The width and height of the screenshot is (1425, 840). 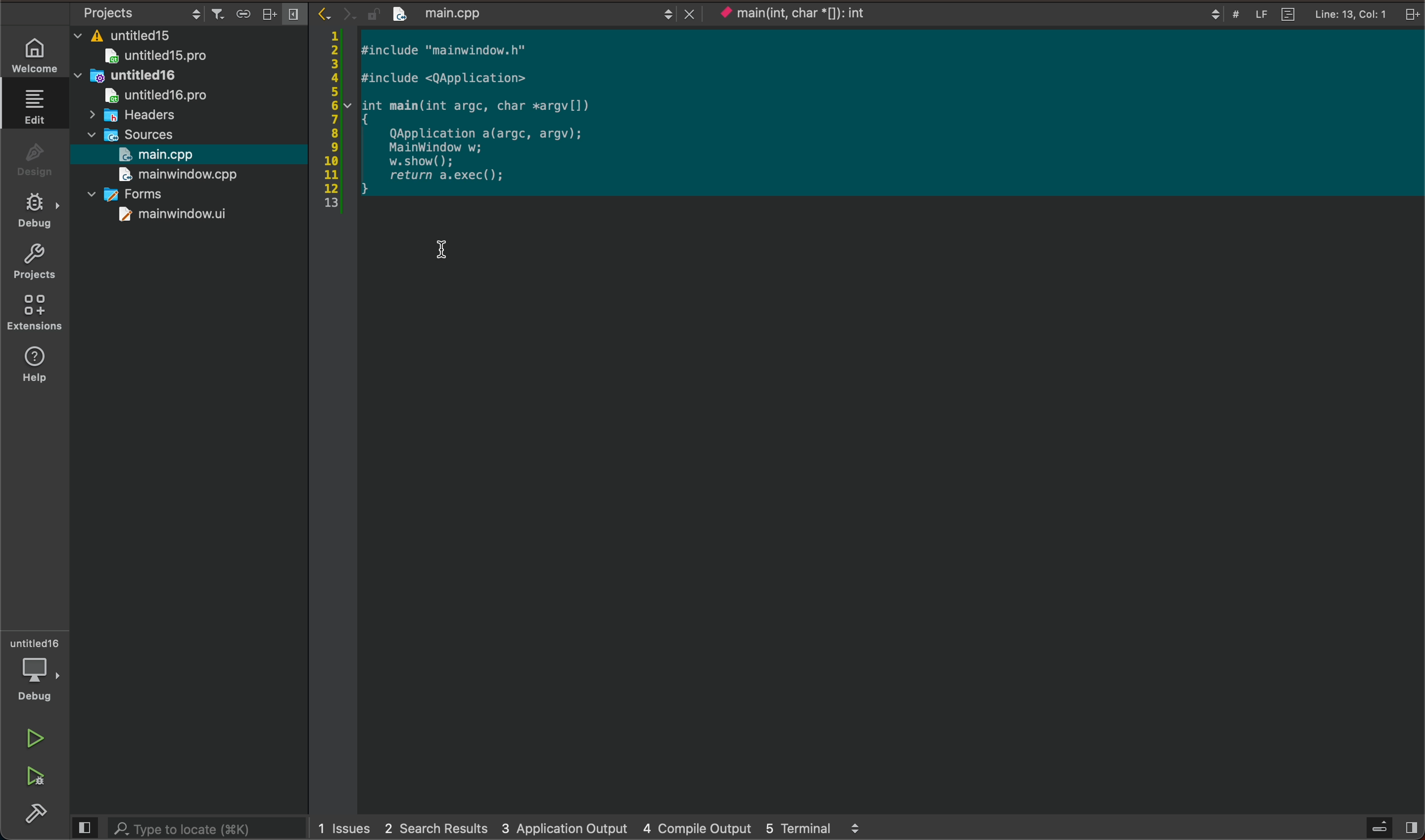 What do you see at coordinates (136, 192) in the screenshot?
I see `forms` at bounding box center [136, 192].